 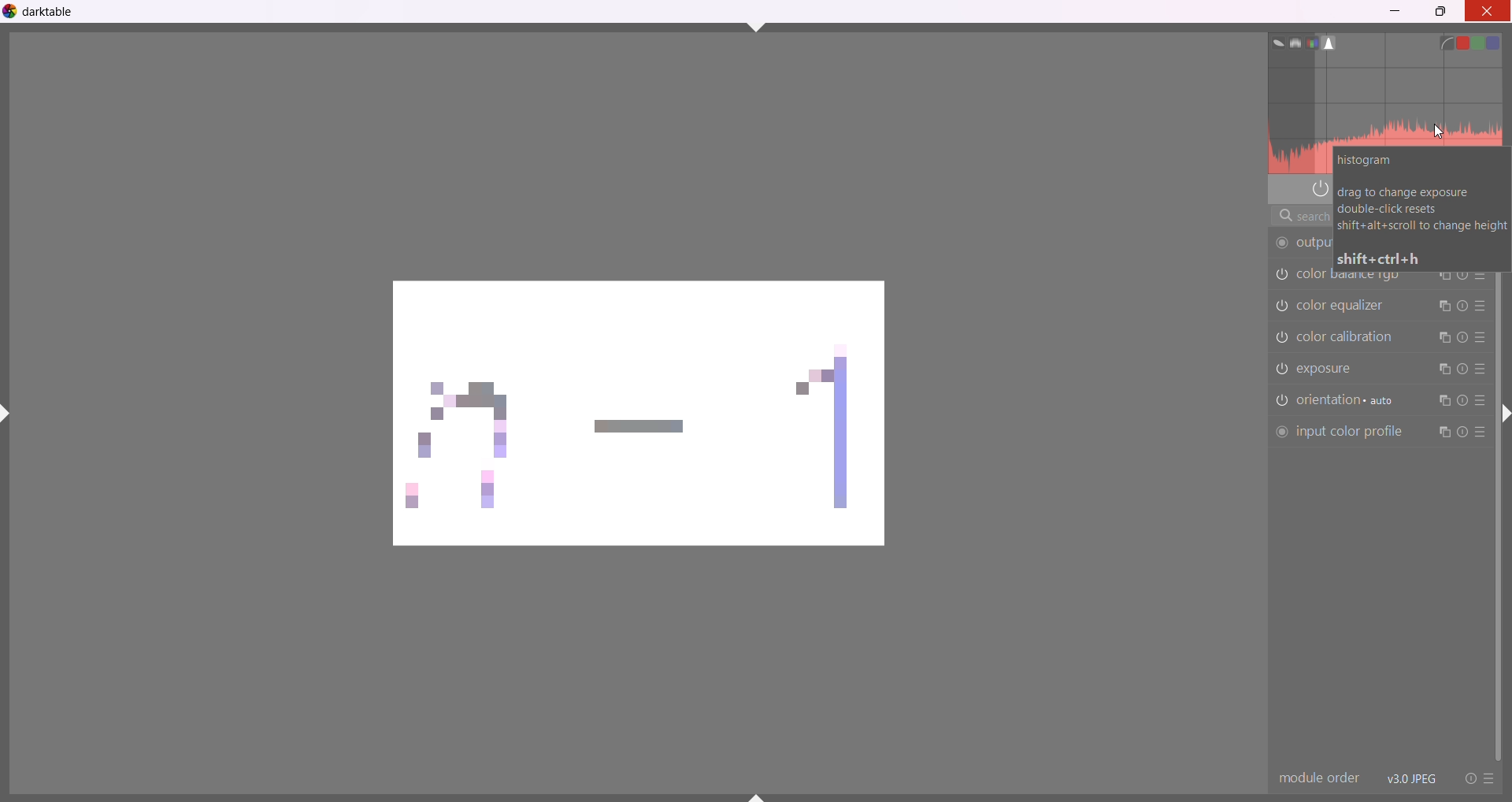 I want to click on shift+ctrl+r, so click(x=1505, y=418).